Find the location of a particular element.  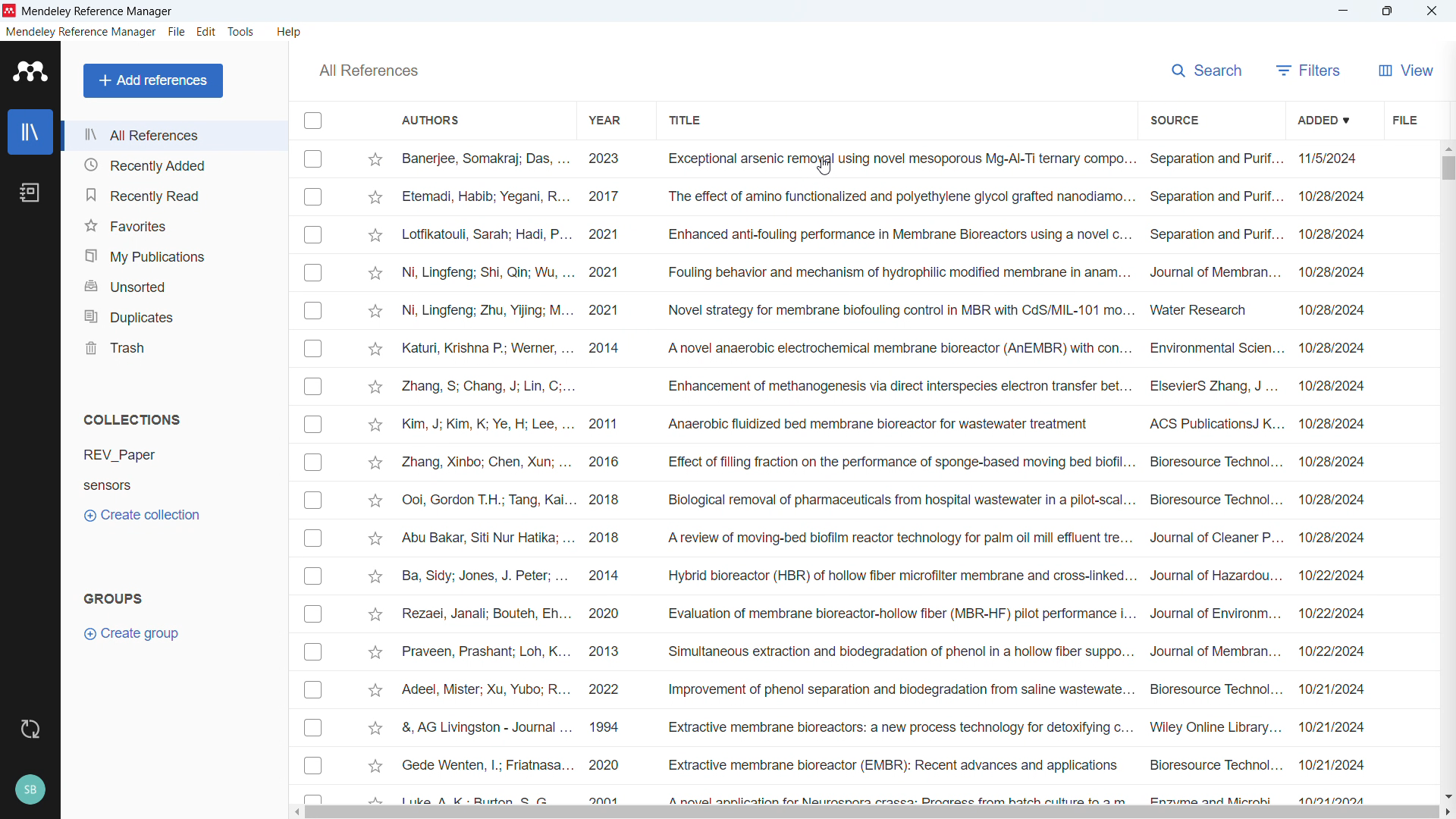

Scroll down  is located at coordinates (1446, 794).